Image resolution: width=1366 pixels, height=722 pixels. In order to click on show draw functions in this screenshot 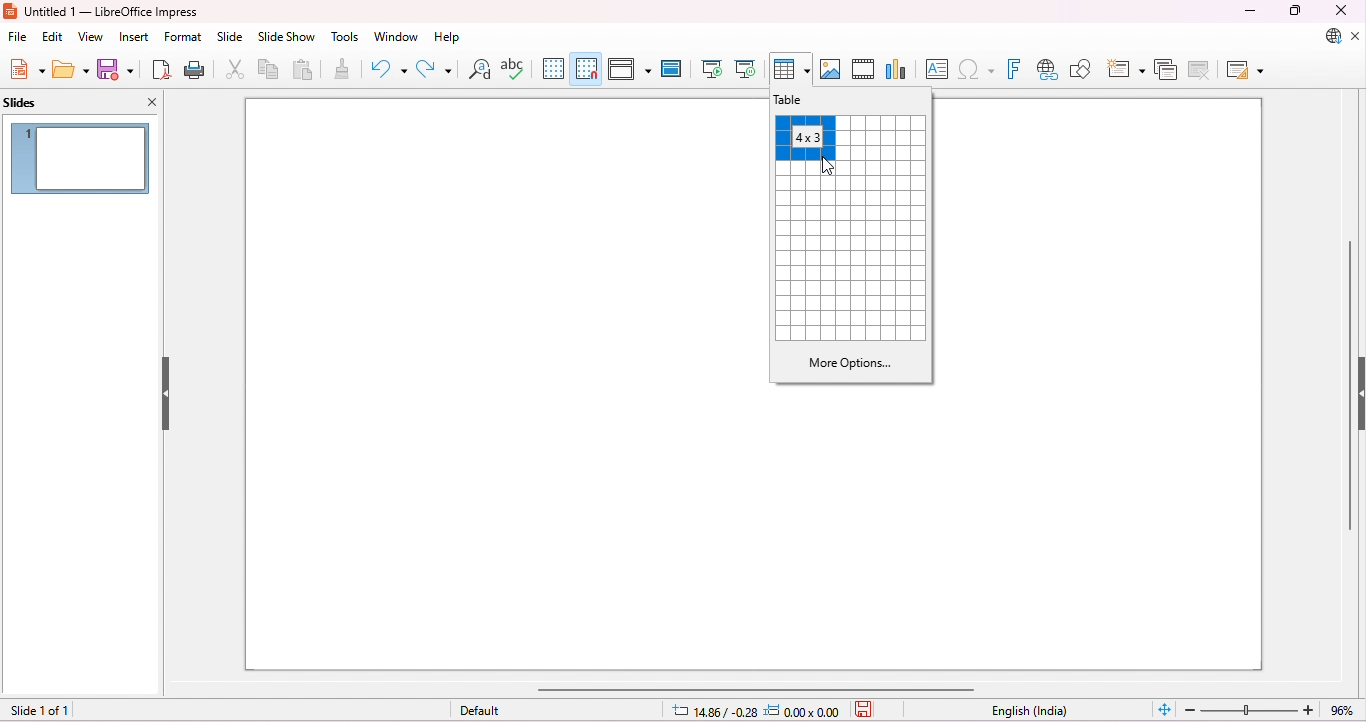, I will do `click(1083, 69)`.